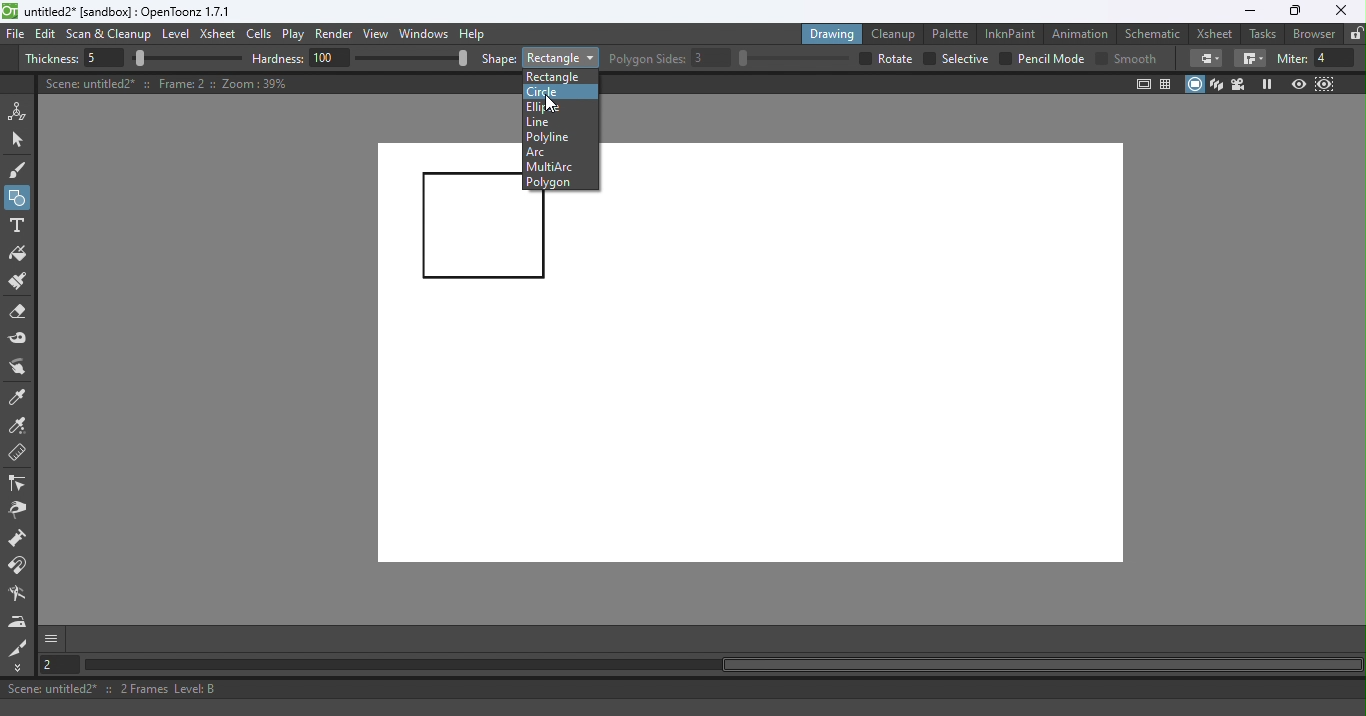 The width and height of the screenshot is (1366, 716). I want to click on Eraser tool, so click(23, 312).